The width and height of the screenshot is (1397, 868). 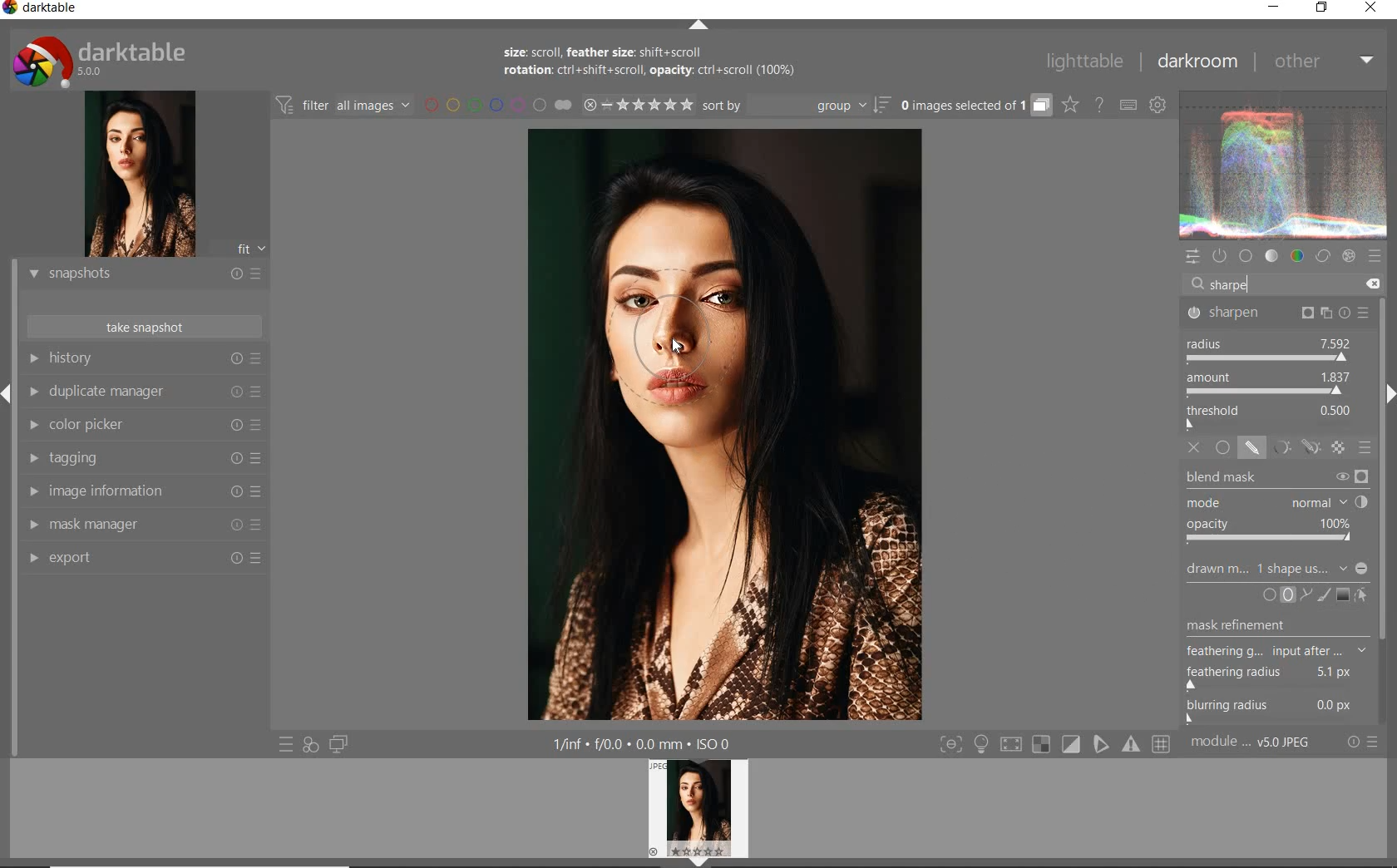 What do you see at coordinates (1342, 594) in the screenshot?
I see `ADD GRADIENT` at bounding box center [1342, 594].